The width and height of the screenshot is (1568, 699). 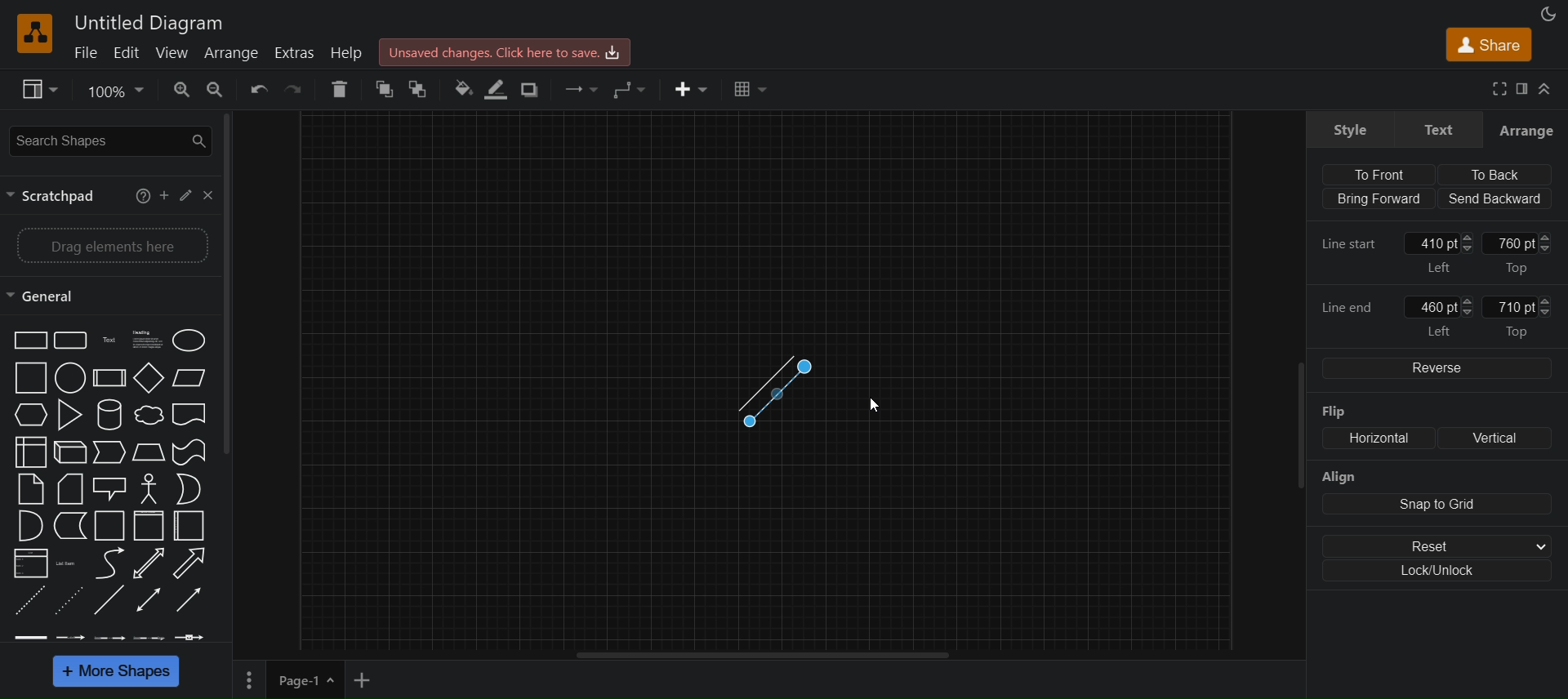 What do you see at coordinates (86, 52) in the screenshot?
I see `file` at bounding box center [86, 52].